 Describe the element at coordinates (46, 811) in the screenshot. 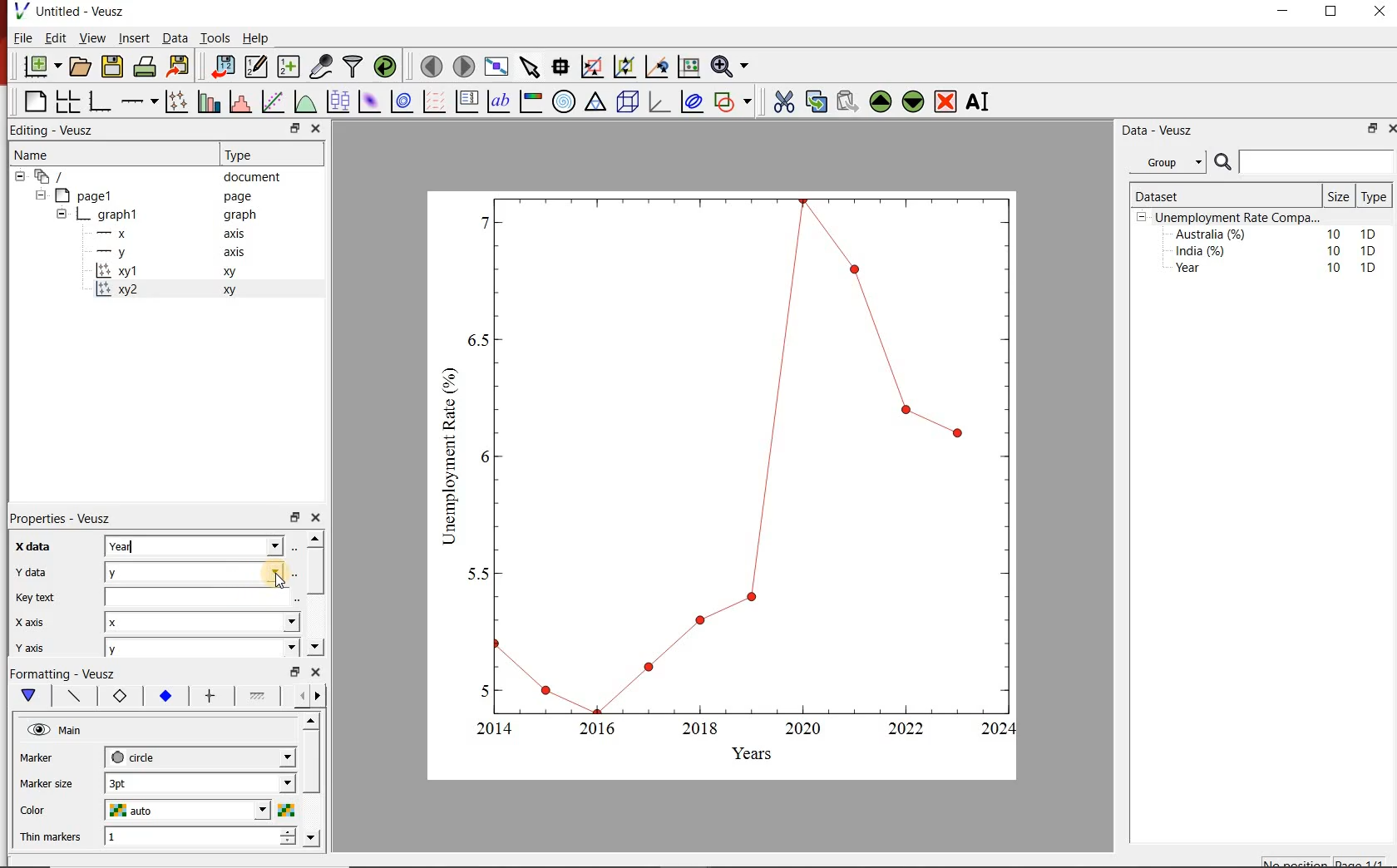

I see `color` at that location.